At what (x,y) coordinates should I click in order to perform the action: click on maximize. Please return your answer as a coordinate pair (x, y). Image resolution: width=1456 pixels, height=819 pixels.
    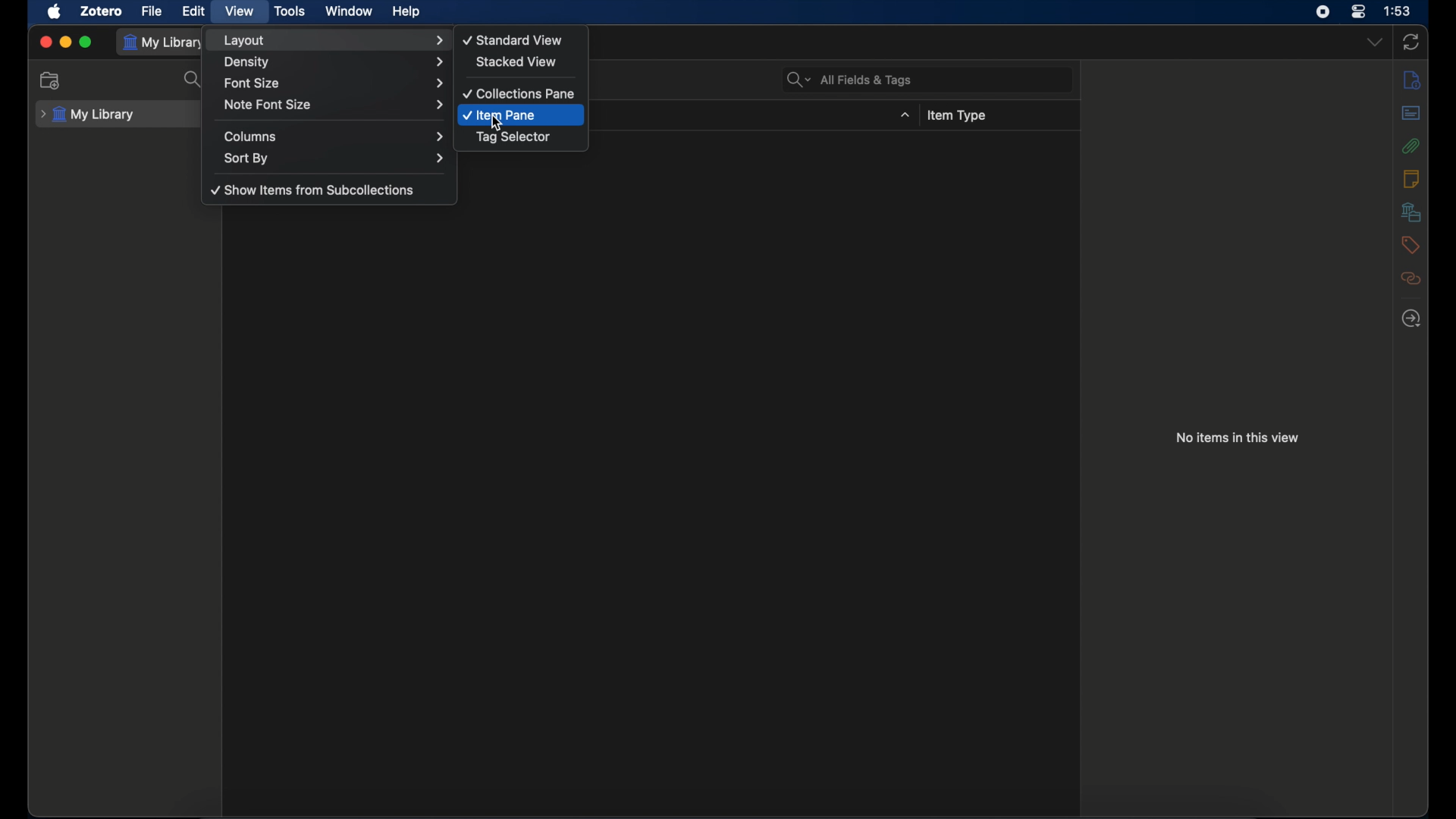
    Looking at the image, I should click on (86, 42).